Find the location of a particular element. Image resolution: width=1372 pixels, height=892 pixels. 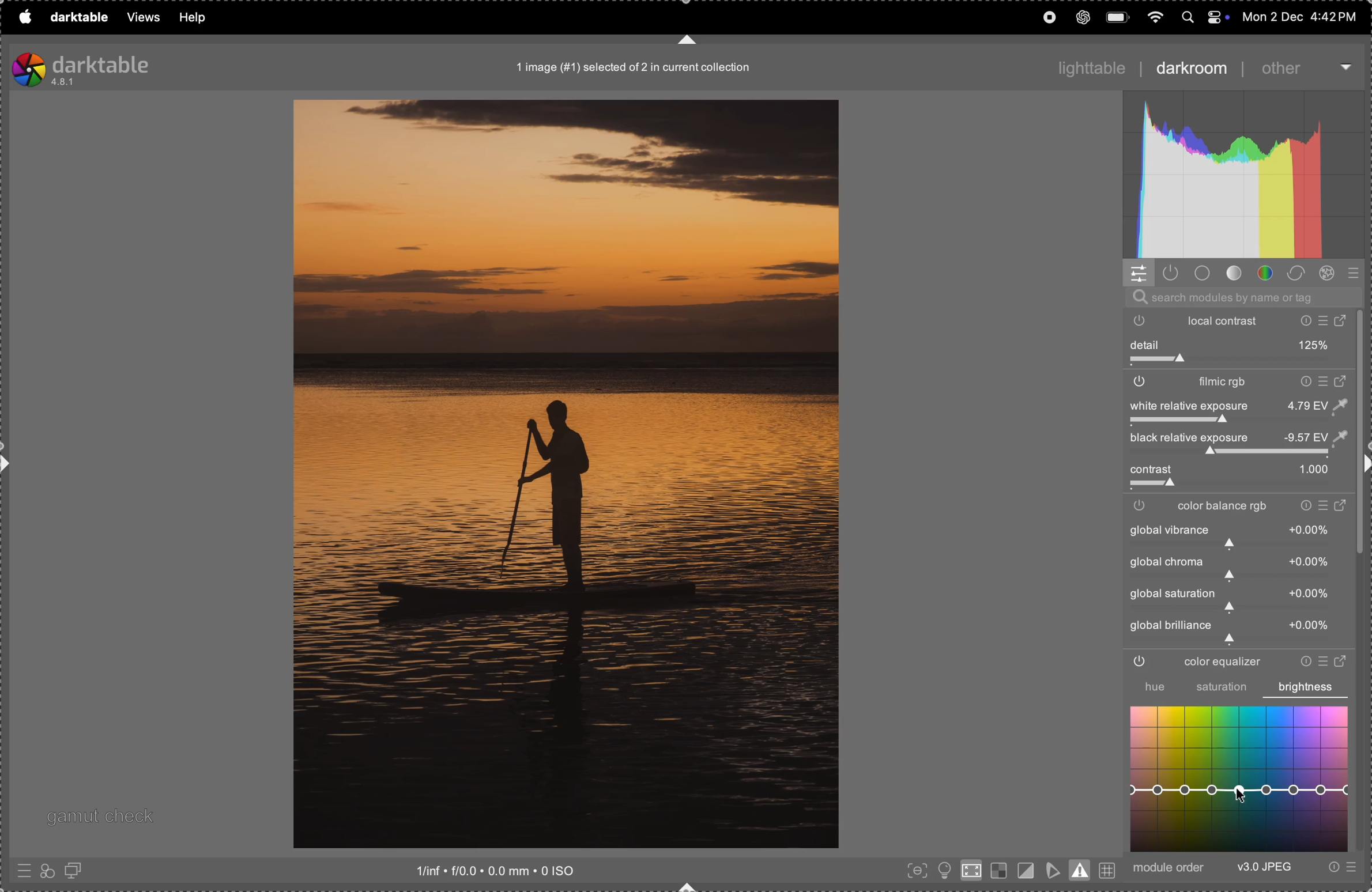

darkroom is located at coordinates (1190, 70).